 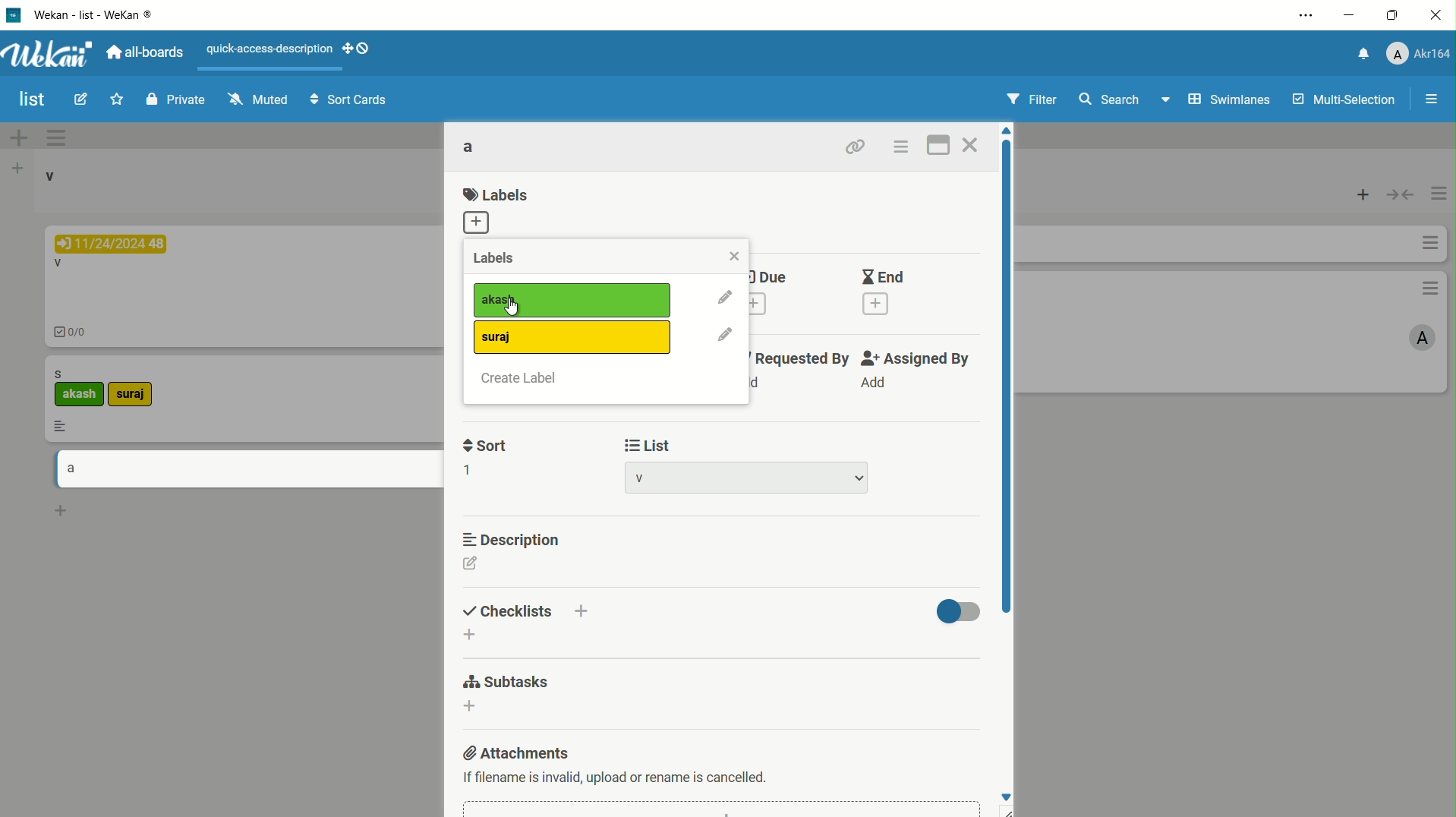 What do you see at coordinates (617, 776) in the screenshot?
I see `text` at bounding box center [617, 776].